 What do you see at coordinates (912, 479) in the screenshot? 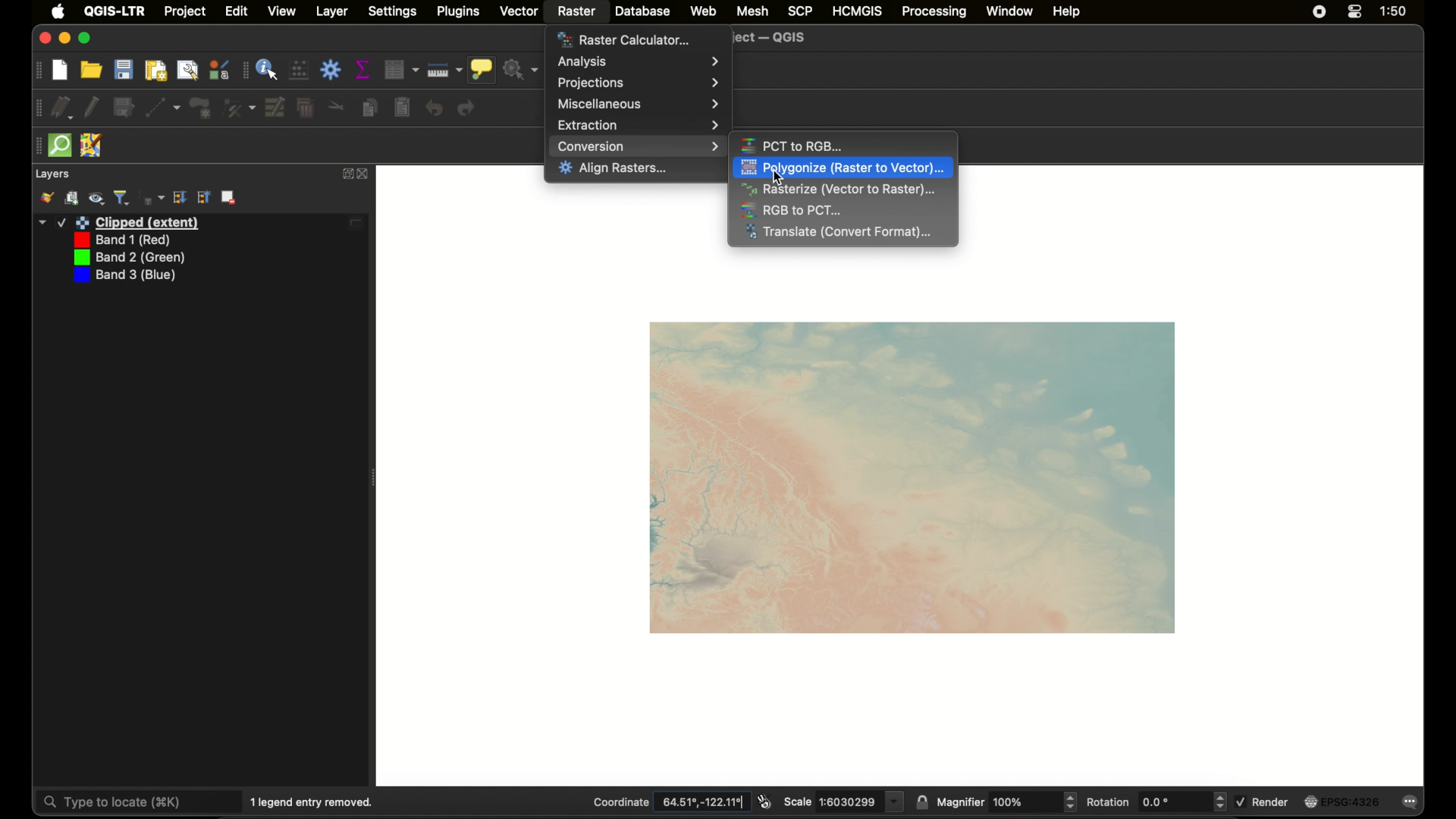
I see `raster map` at bounding box center [912, 479].